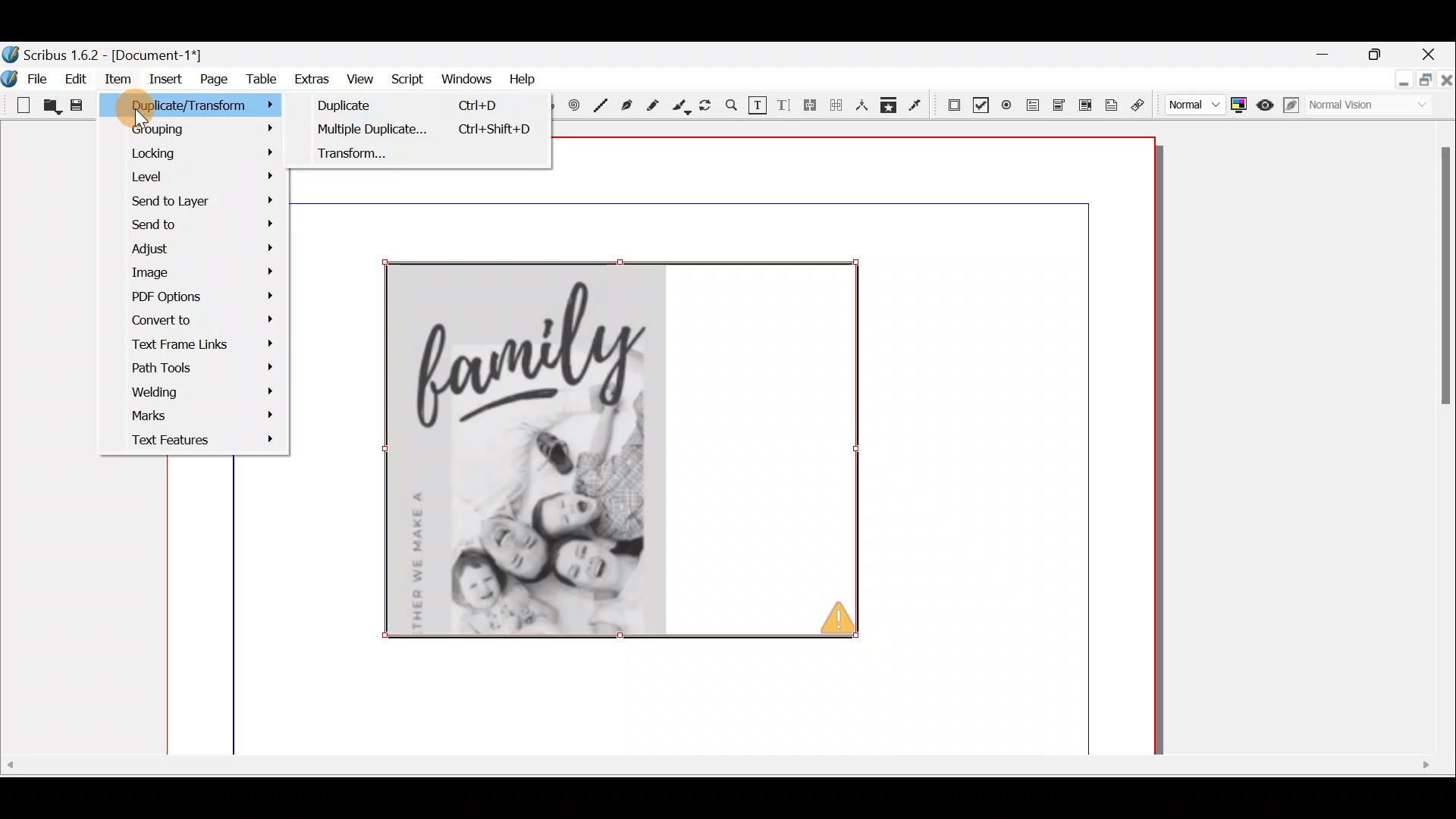 The height and width of the screenshot is (819, 1456). Describe the element at coordinates (1084, 104) in the screenshot. I see `PDF list box` at that location.